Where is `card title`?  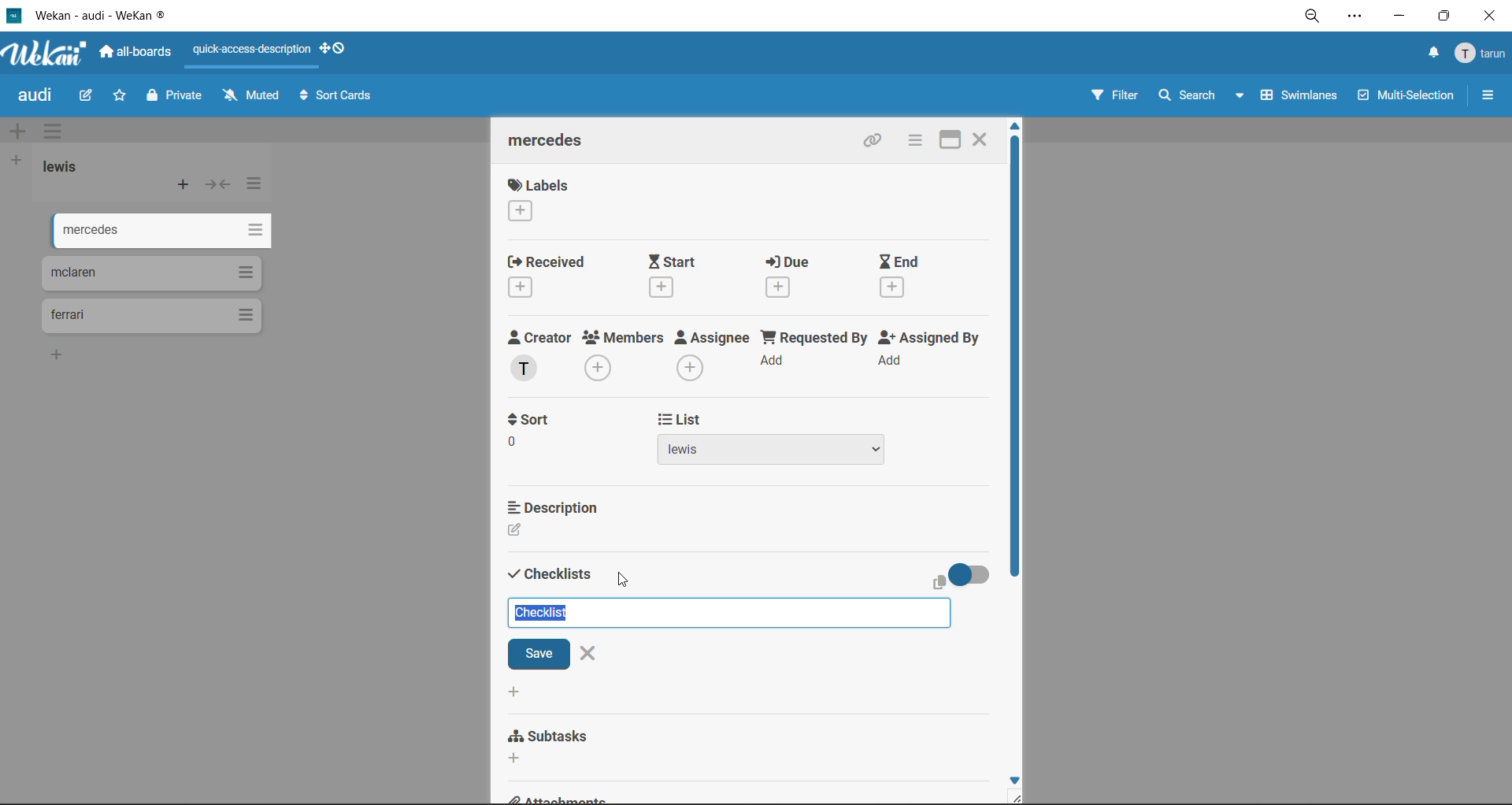 card title is located at coordinates (553, 143).